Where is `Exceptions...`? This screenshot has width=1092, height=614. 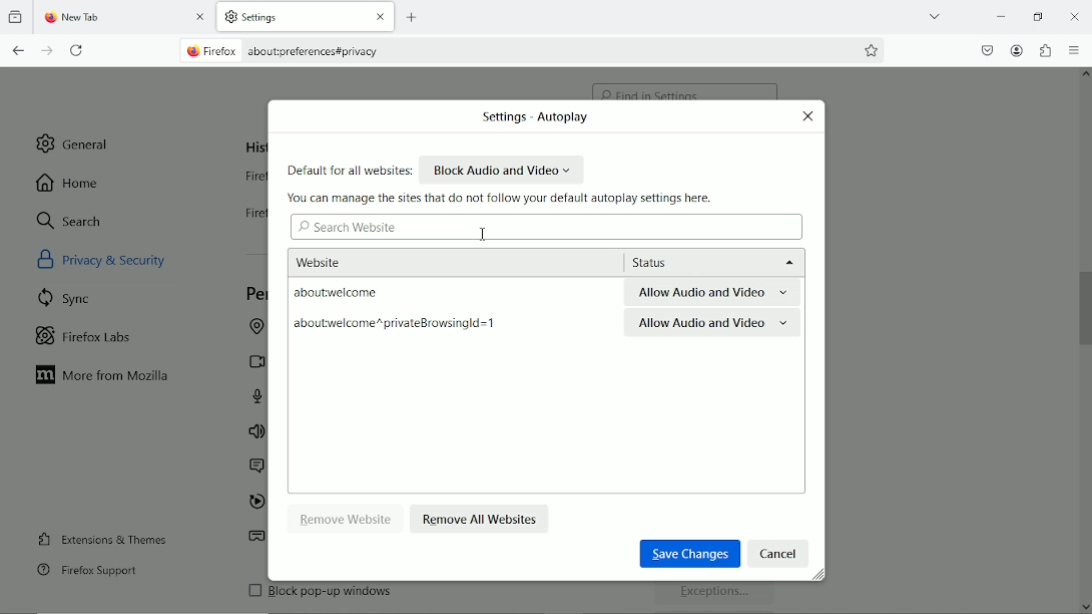 Exceptions... is located at coordinates (717, 595).